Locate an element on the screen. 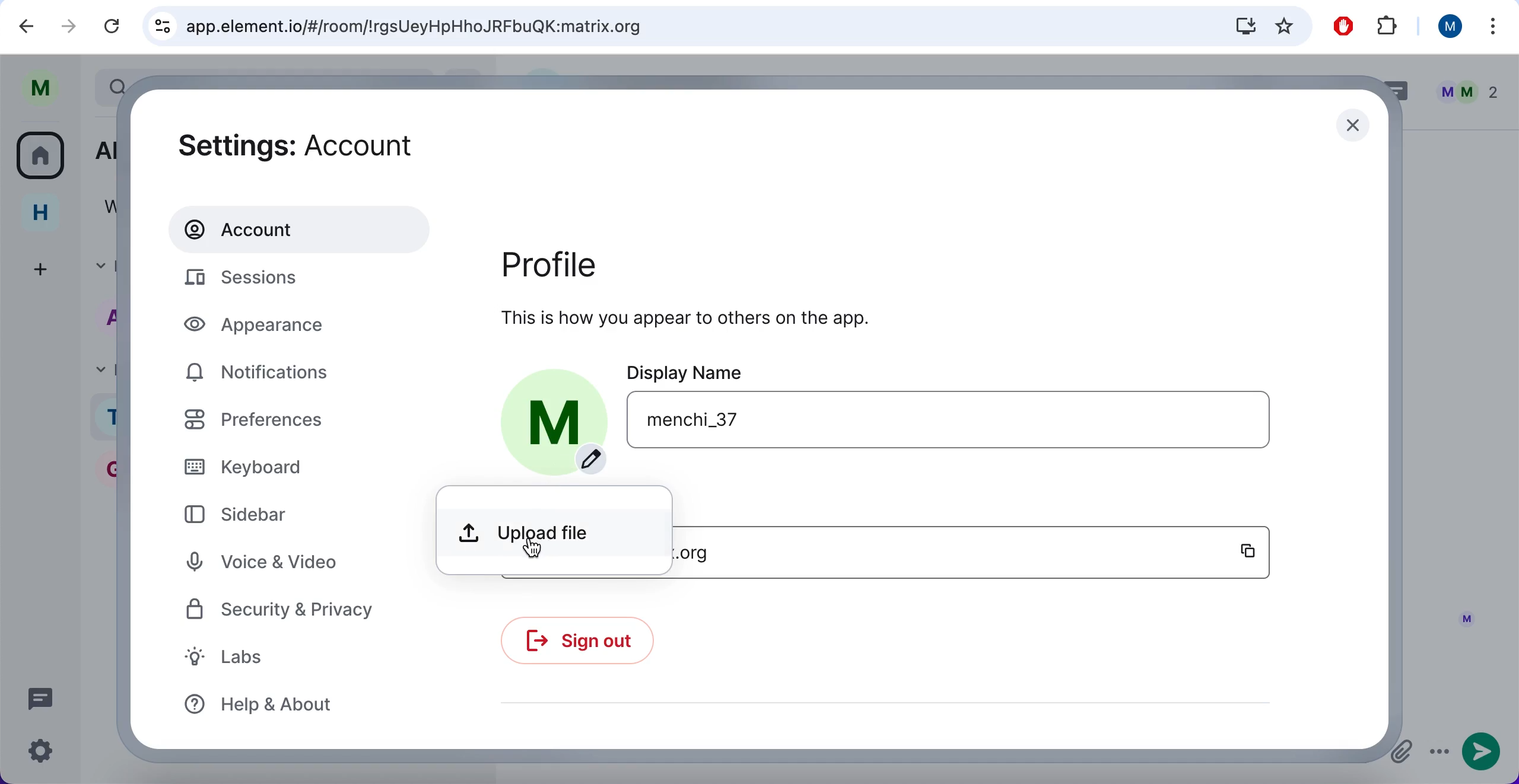 The image size is (1519, 784). profile picture is located at coordinates (553, 423).